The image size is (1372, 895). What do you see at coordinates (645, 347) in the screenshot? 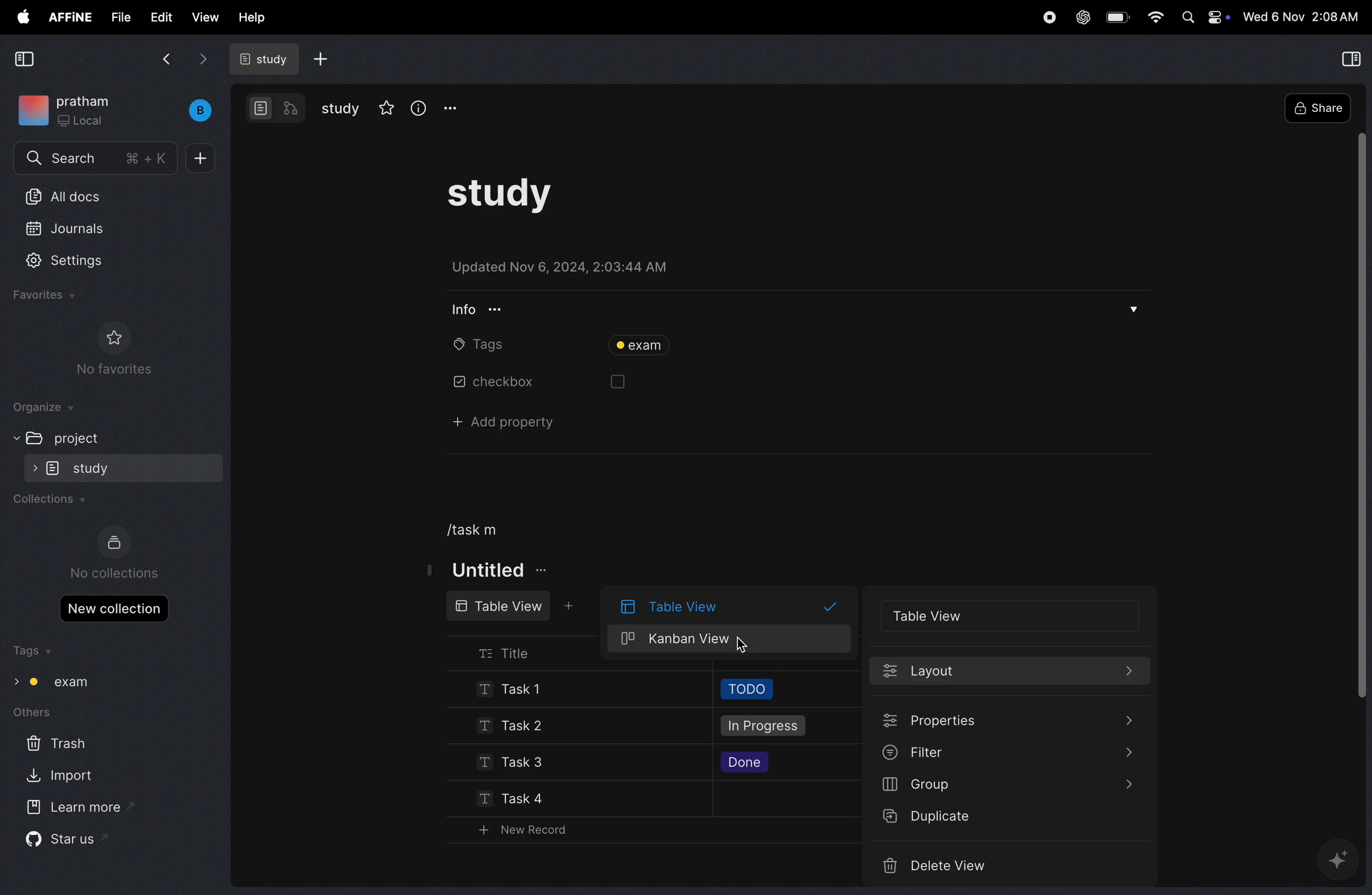
I see `tag` at bounding box center [645, 347].